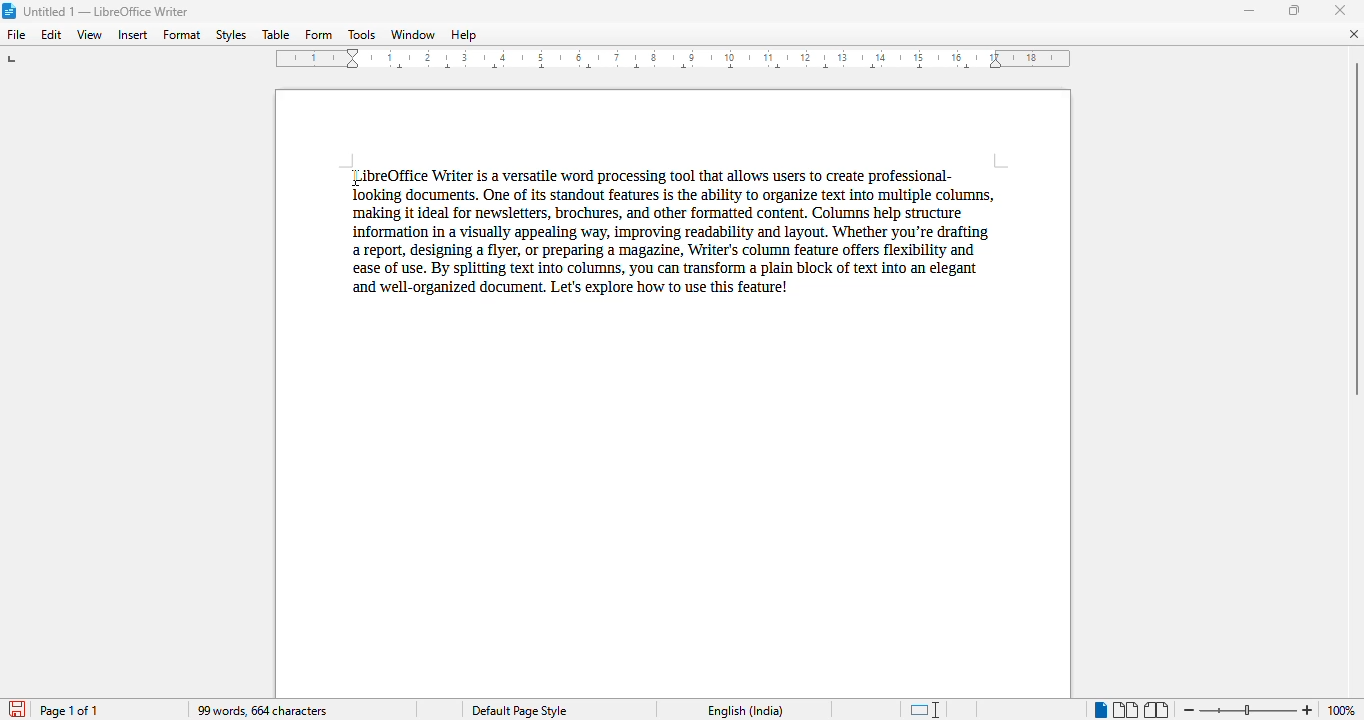 This screenshot has height=720, width=1364. What do you see at coordinates (17, 709) in the screenshot?
I see `click to save document` at bounding box center [17, 709].